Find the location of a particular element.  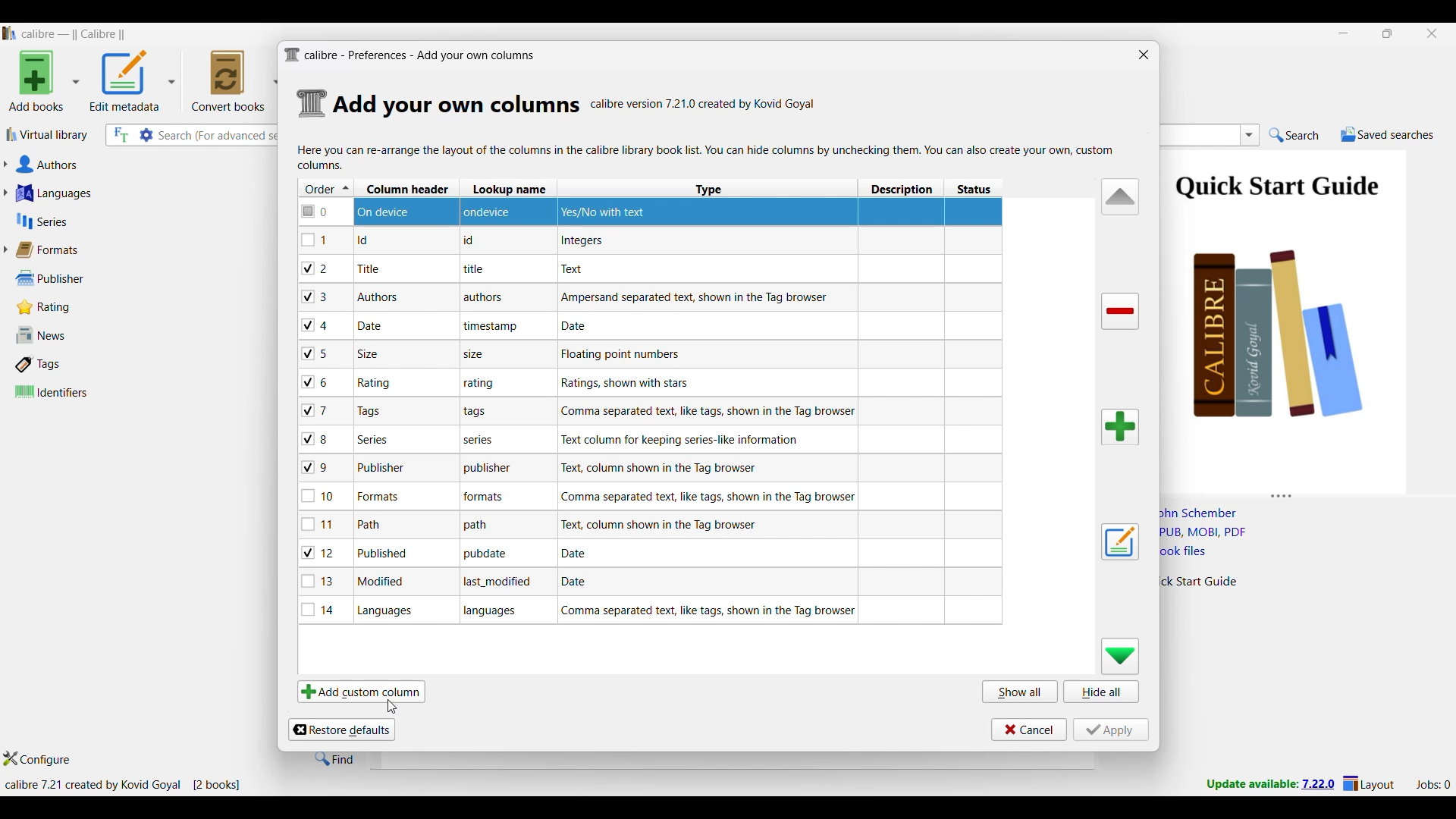

checkbox - 12 is located at coordinates (320, 552).